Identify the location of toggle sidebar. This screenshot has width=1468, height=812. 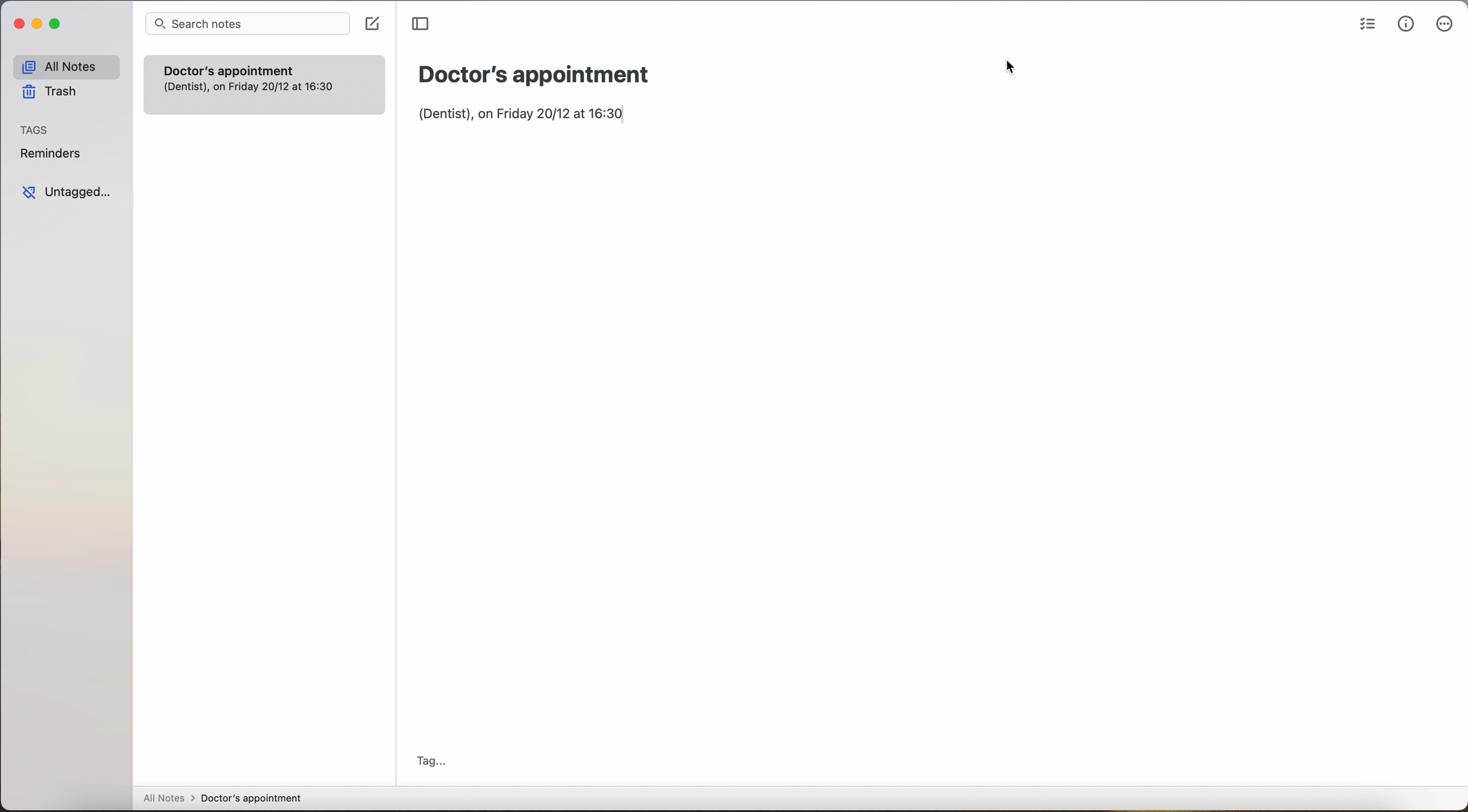
(420, 24).